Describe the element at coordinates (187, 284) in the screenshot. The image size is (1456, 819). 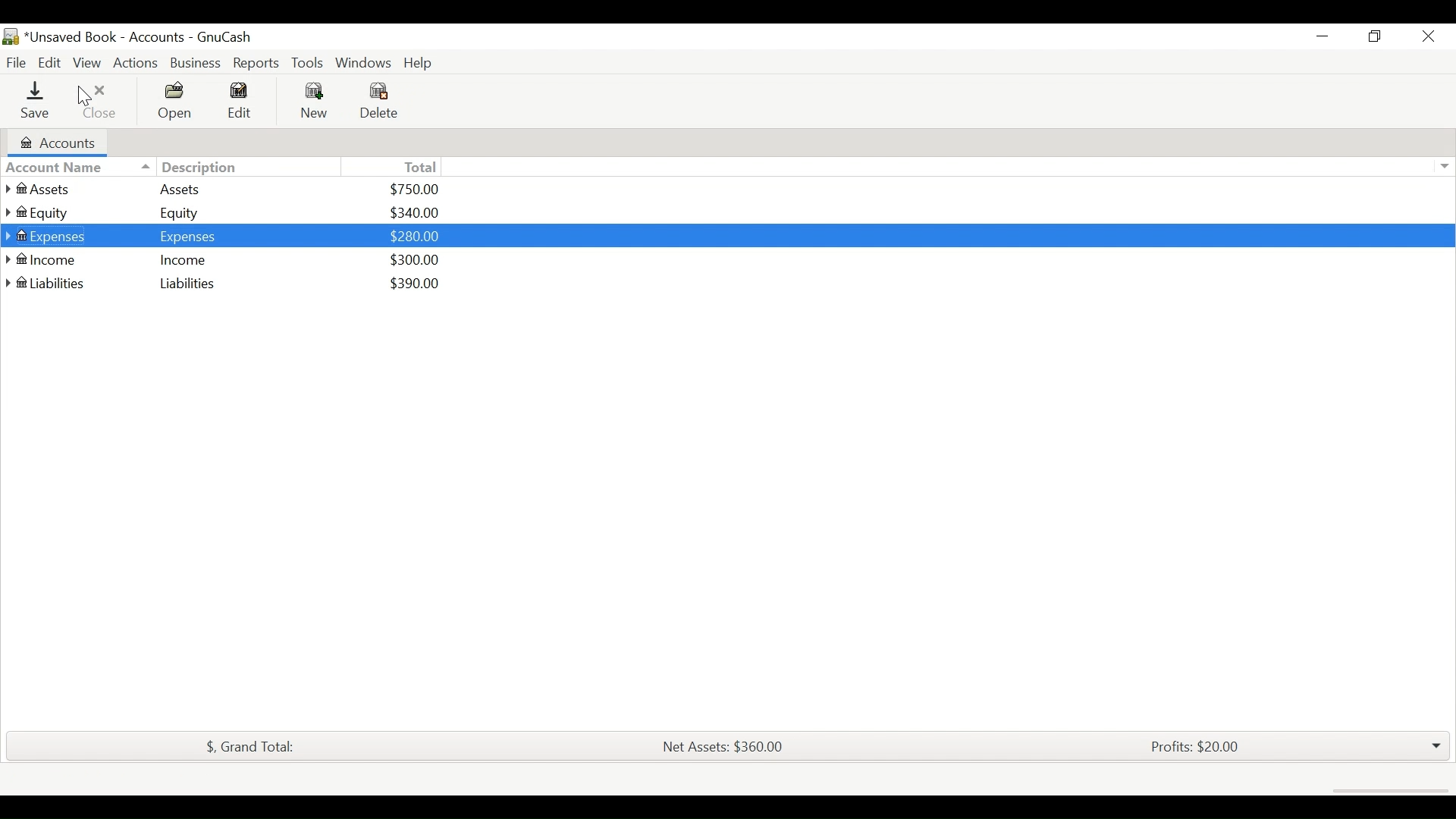
I see `Liabilities` at that location.